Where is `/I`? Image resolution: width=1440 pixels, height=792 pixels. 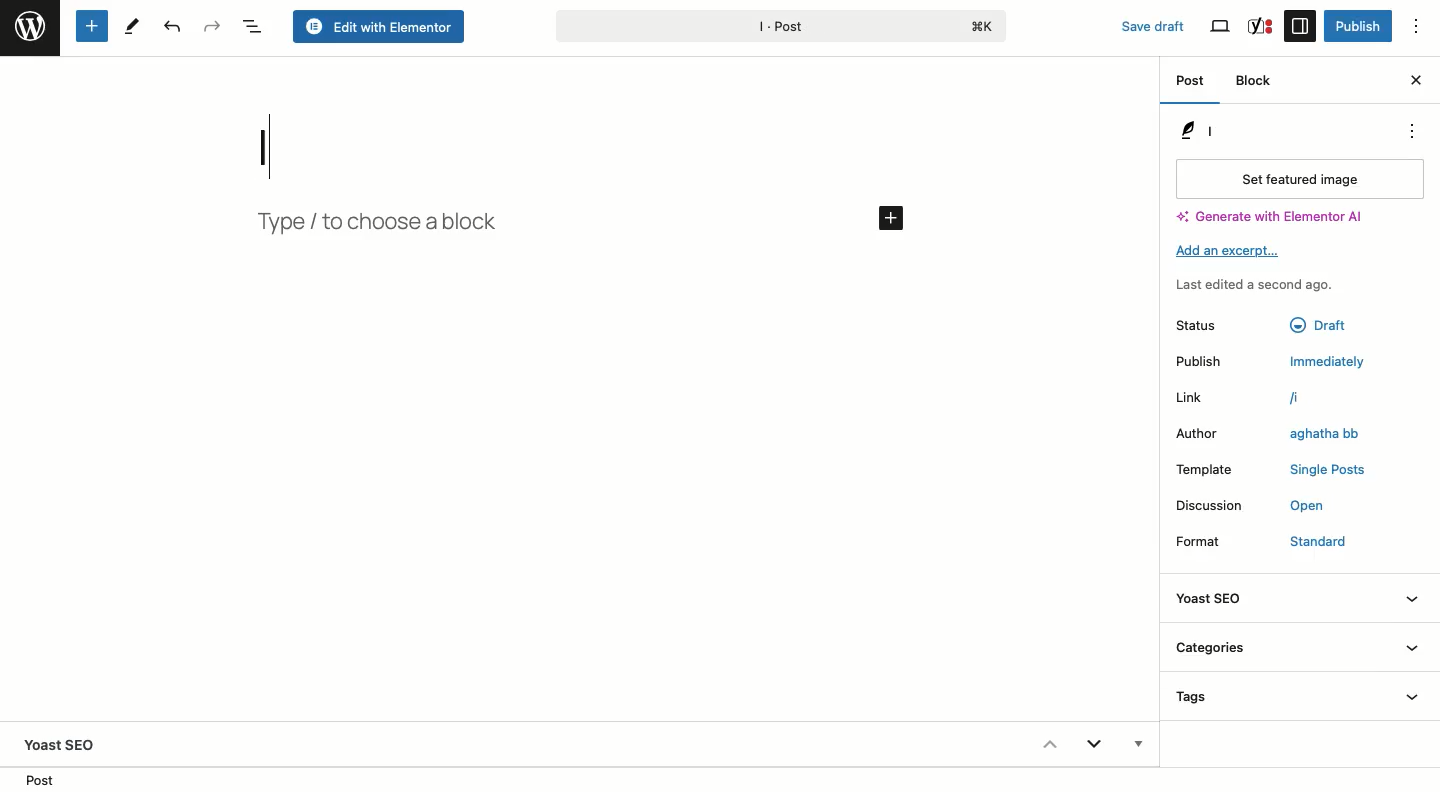
/I is located at coordinates (1306, 398).